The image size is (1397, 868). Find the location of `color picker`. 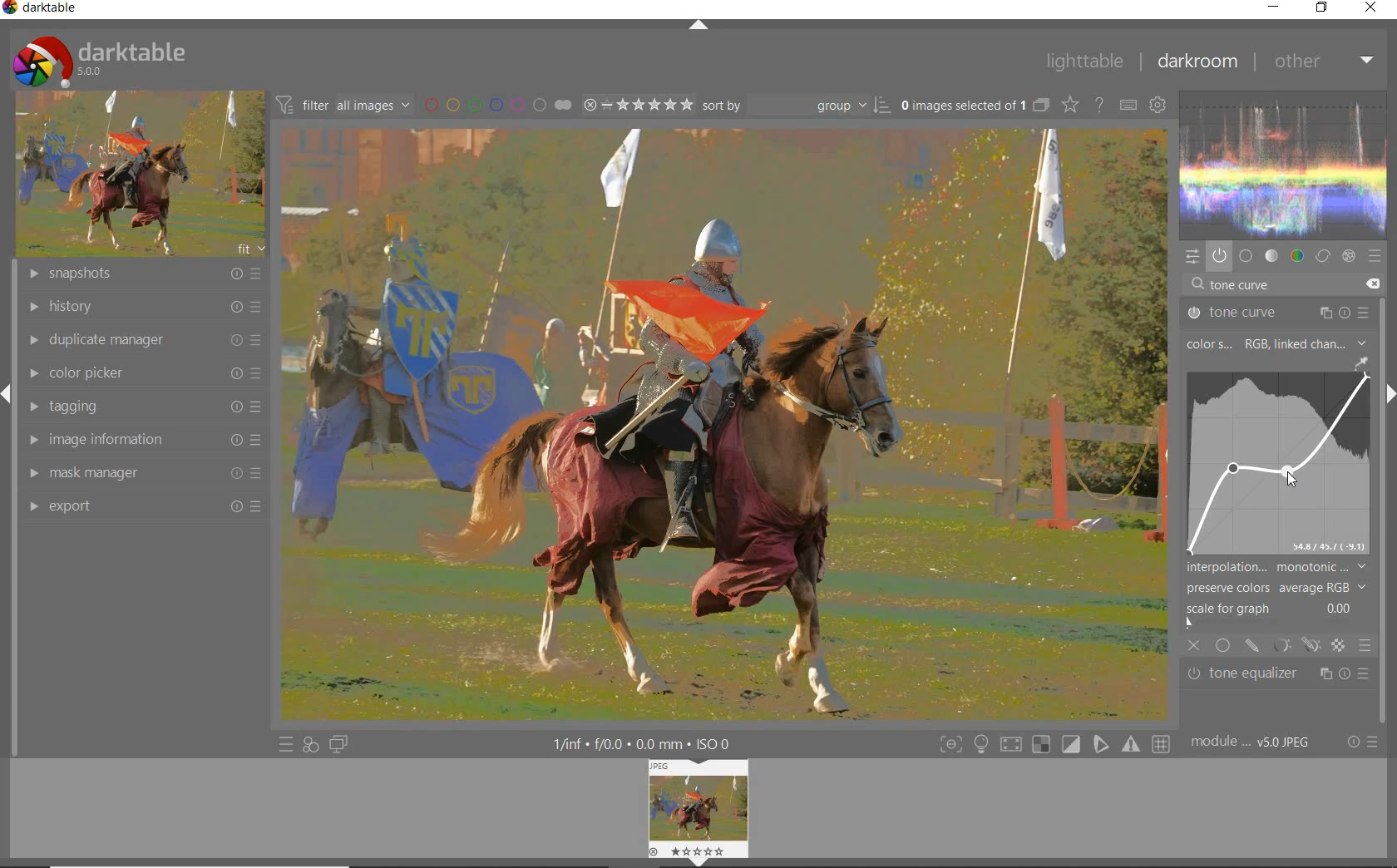

color picker is located at coordinates (142, 374).